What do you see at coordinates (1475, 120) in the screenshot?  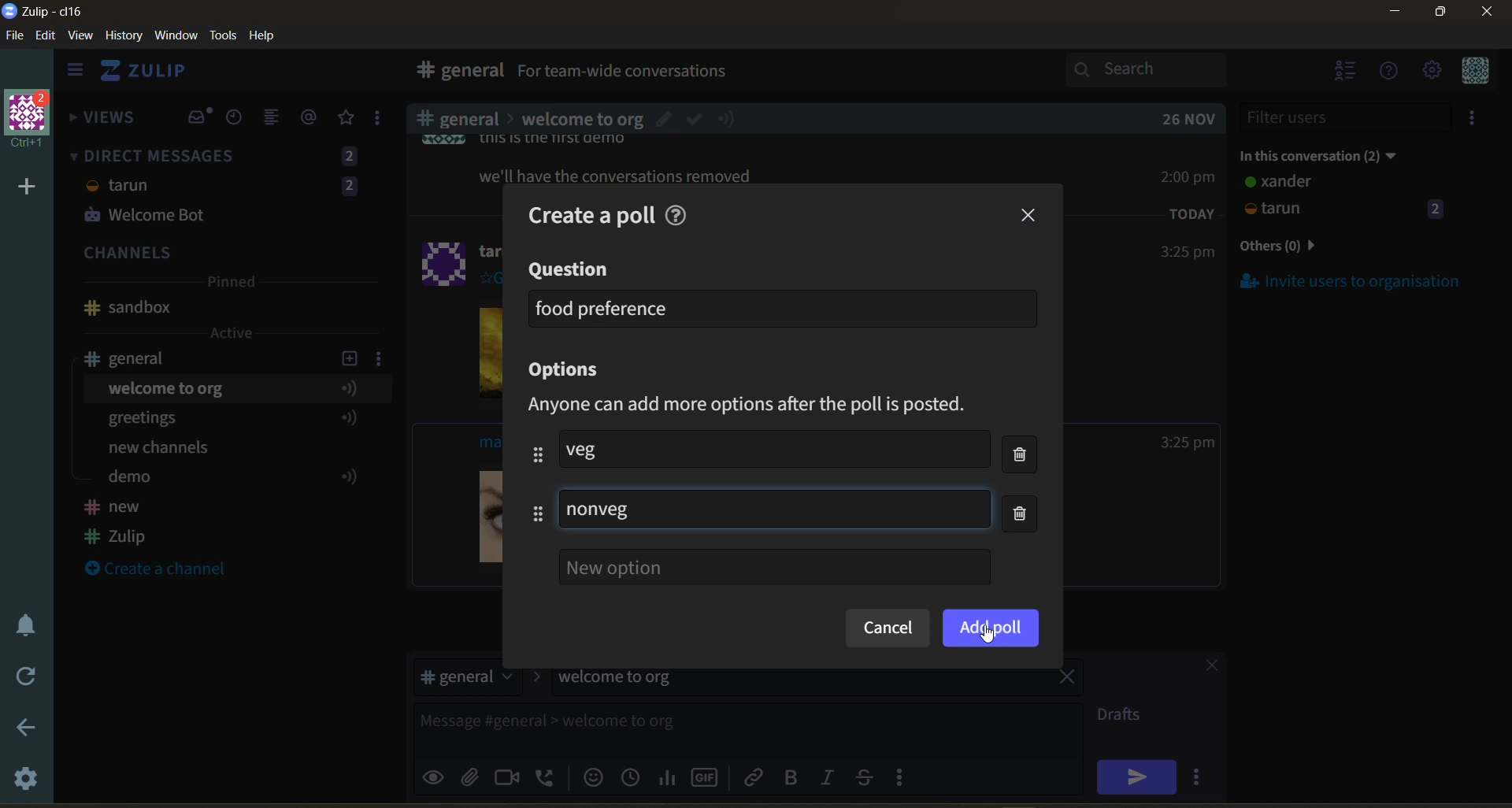 I see `invite users to organisation` at bounding box center [1475, 120].